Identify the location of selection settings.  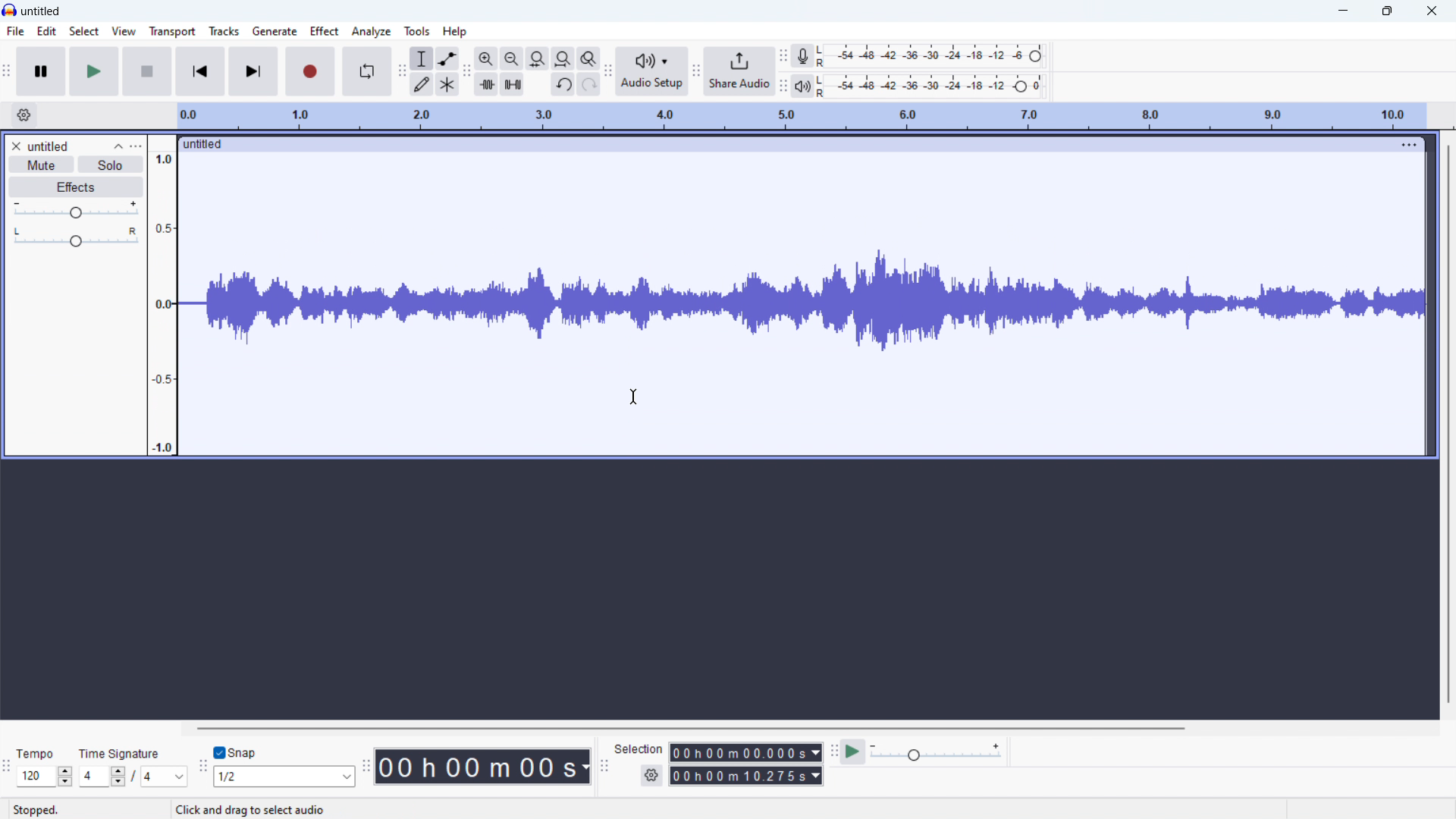
(652, 775).